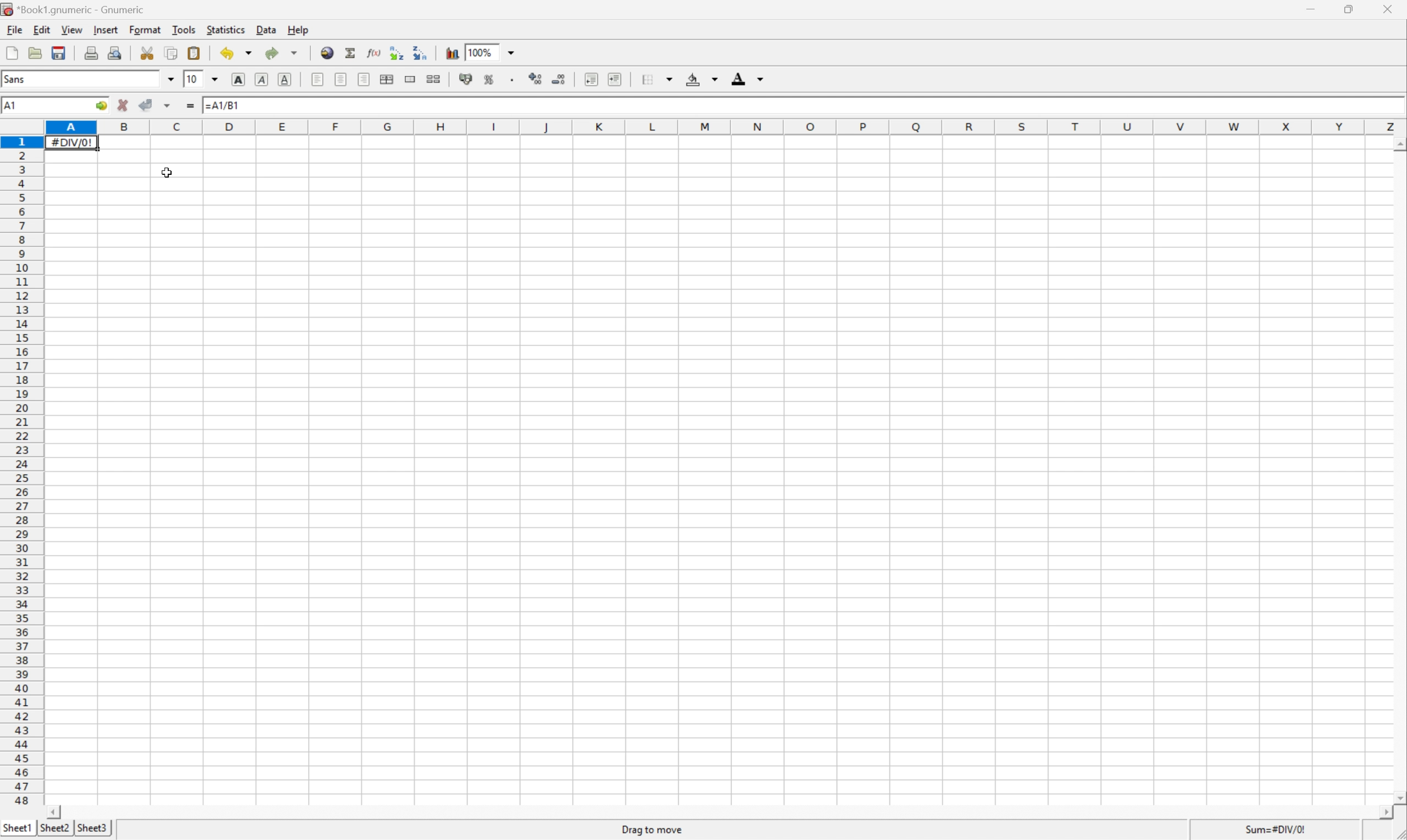 This screenshot has height=840, width=1407. What do you see at coordinates (169, 106) in the screenshot?
I see `Accept change in multiple cells` at bounding box center [169, 106].